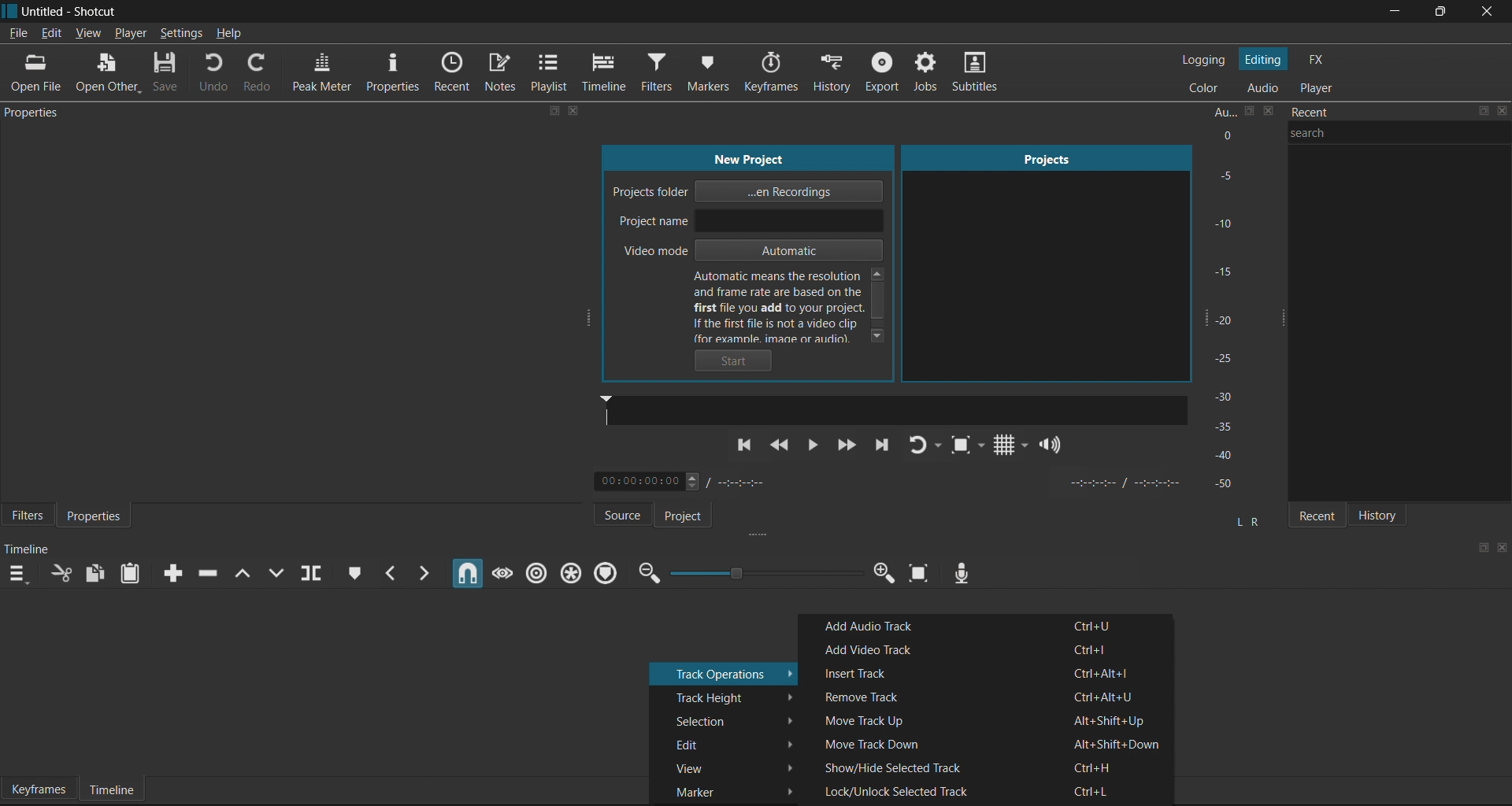 The width and height of the screenshot is (1512, 806). I want to click on Filters, so click(666, 72).